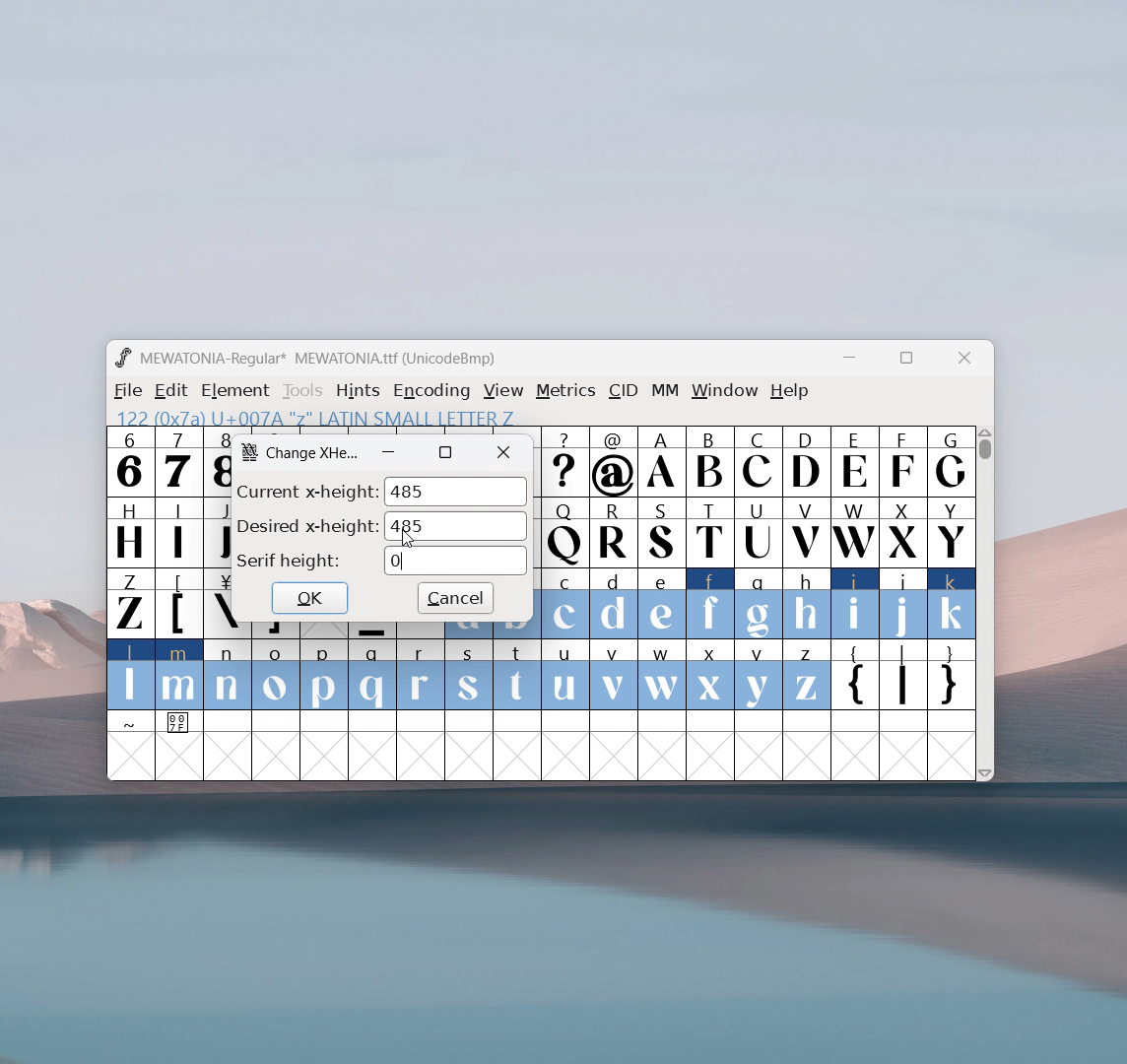 The image size is (1127, 1064). I want to click on 0, so click(455, 561).